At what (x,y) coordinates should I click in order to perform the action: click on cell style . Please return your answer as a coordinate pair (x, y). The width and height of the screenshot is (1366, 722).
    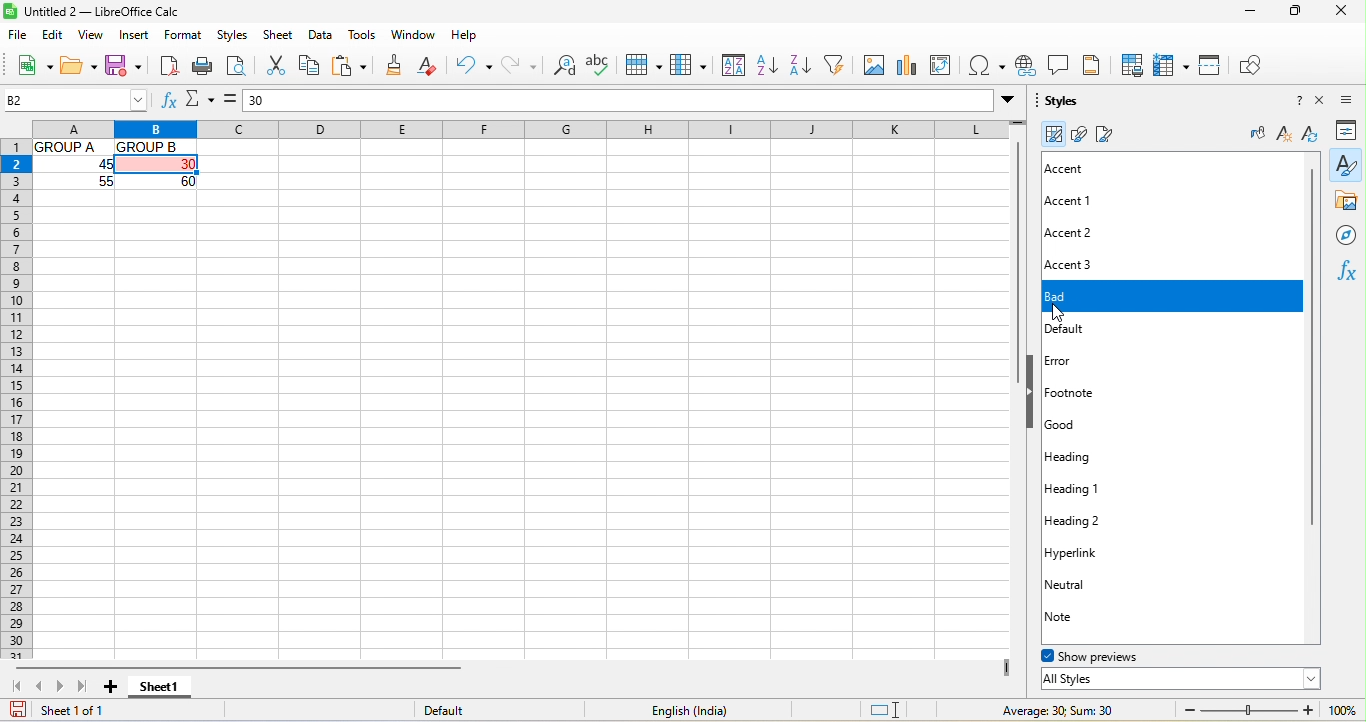
    Looking at the image, I should click on (1053, 134).